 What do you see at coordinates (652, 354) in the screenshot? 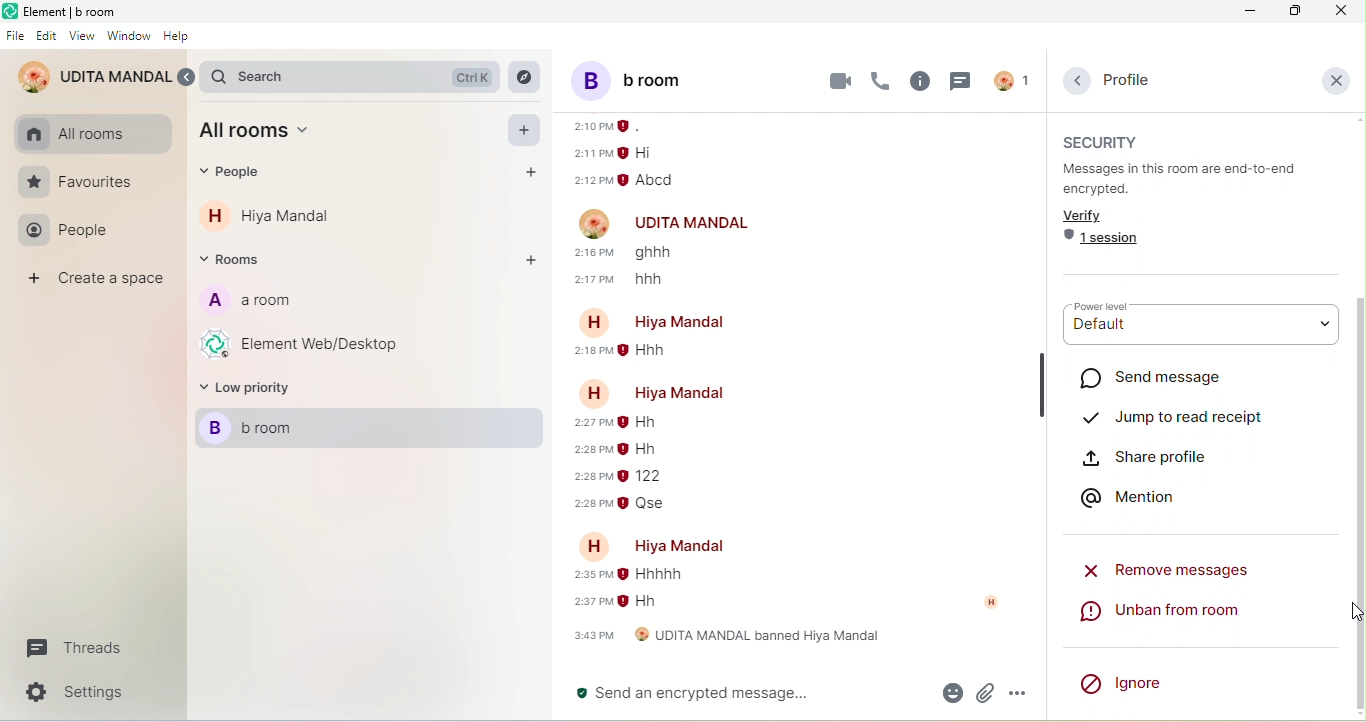
I see `hhh-older message from hiya mandal` at bounding box center [652, 354].